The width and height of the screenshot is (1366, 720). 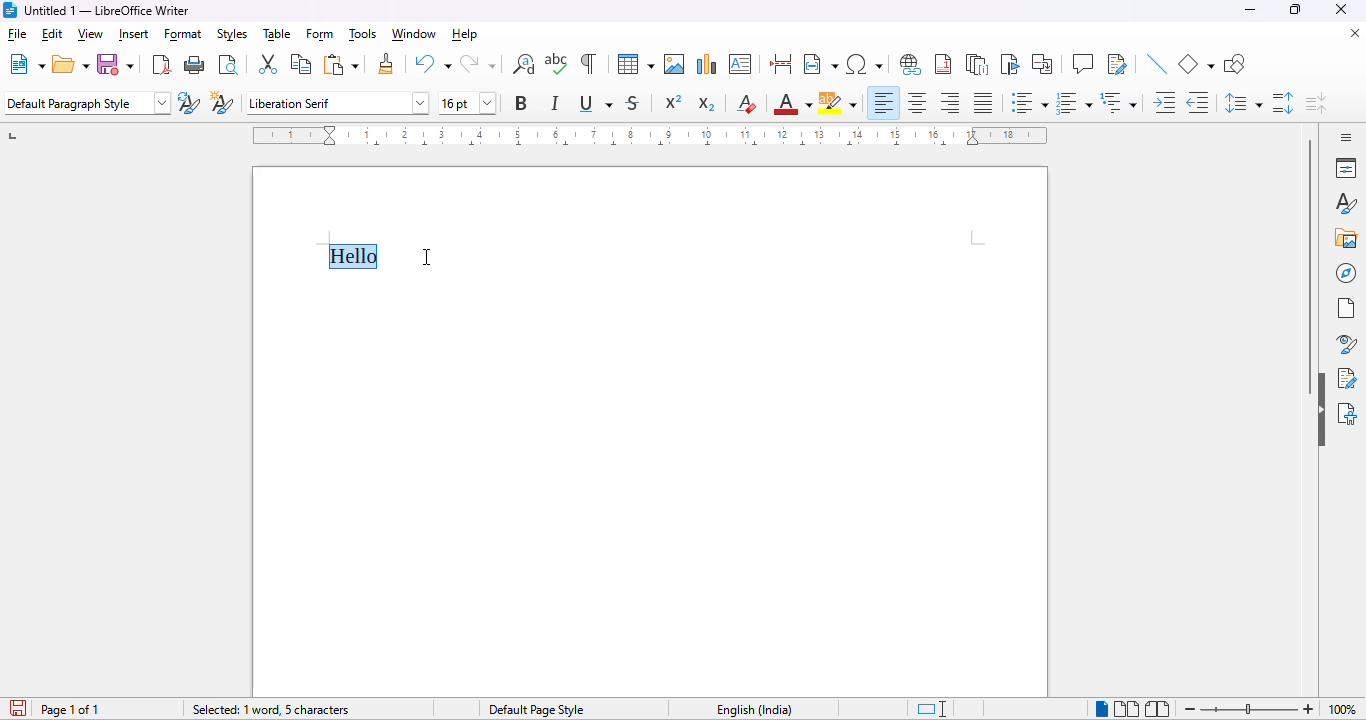 What do you see at coordinates (1188, 710) in the screenshot?
I see `zoom out` at bounding box center [1188, 710].